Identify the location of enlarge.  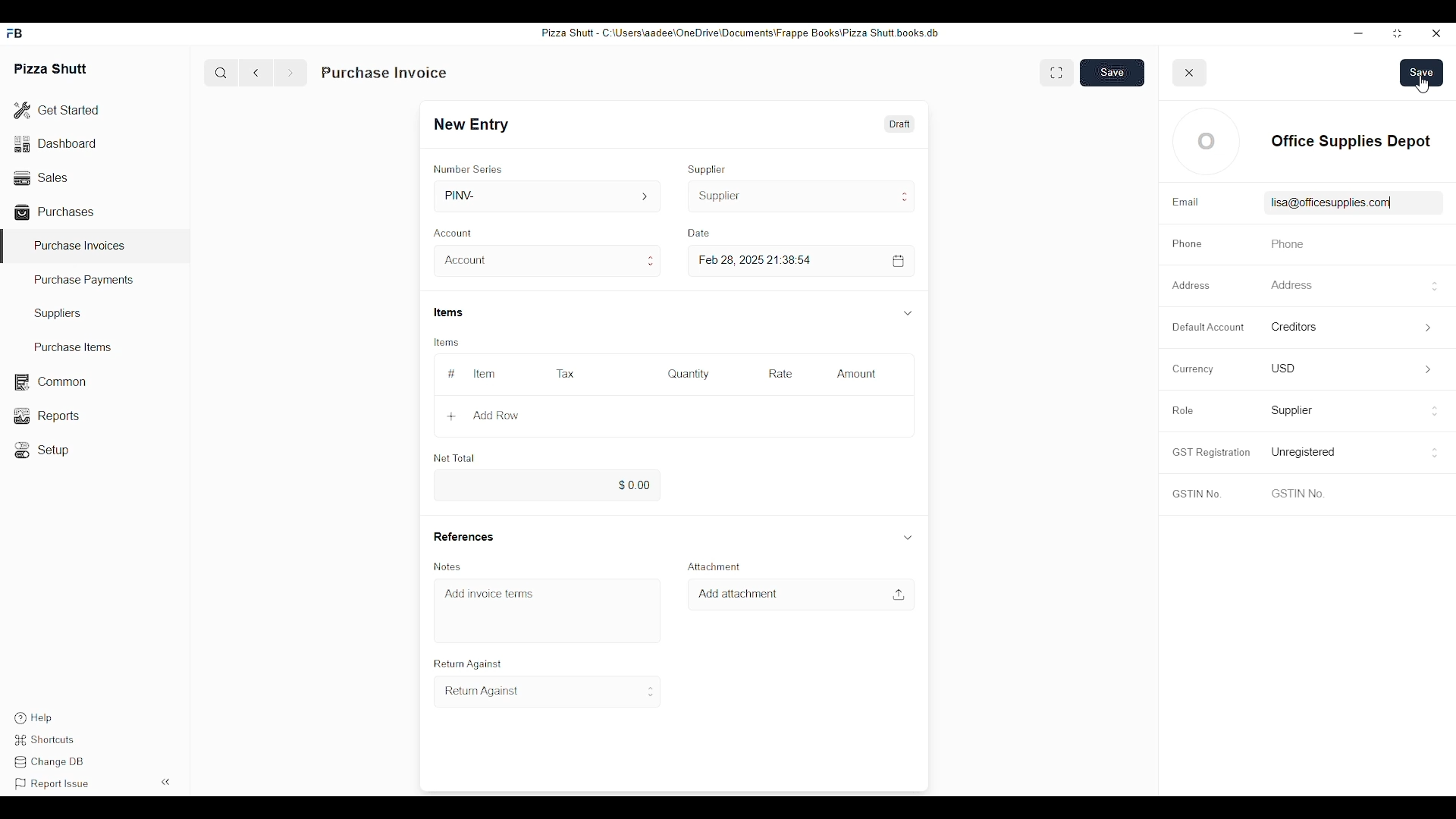
(1056, 71).